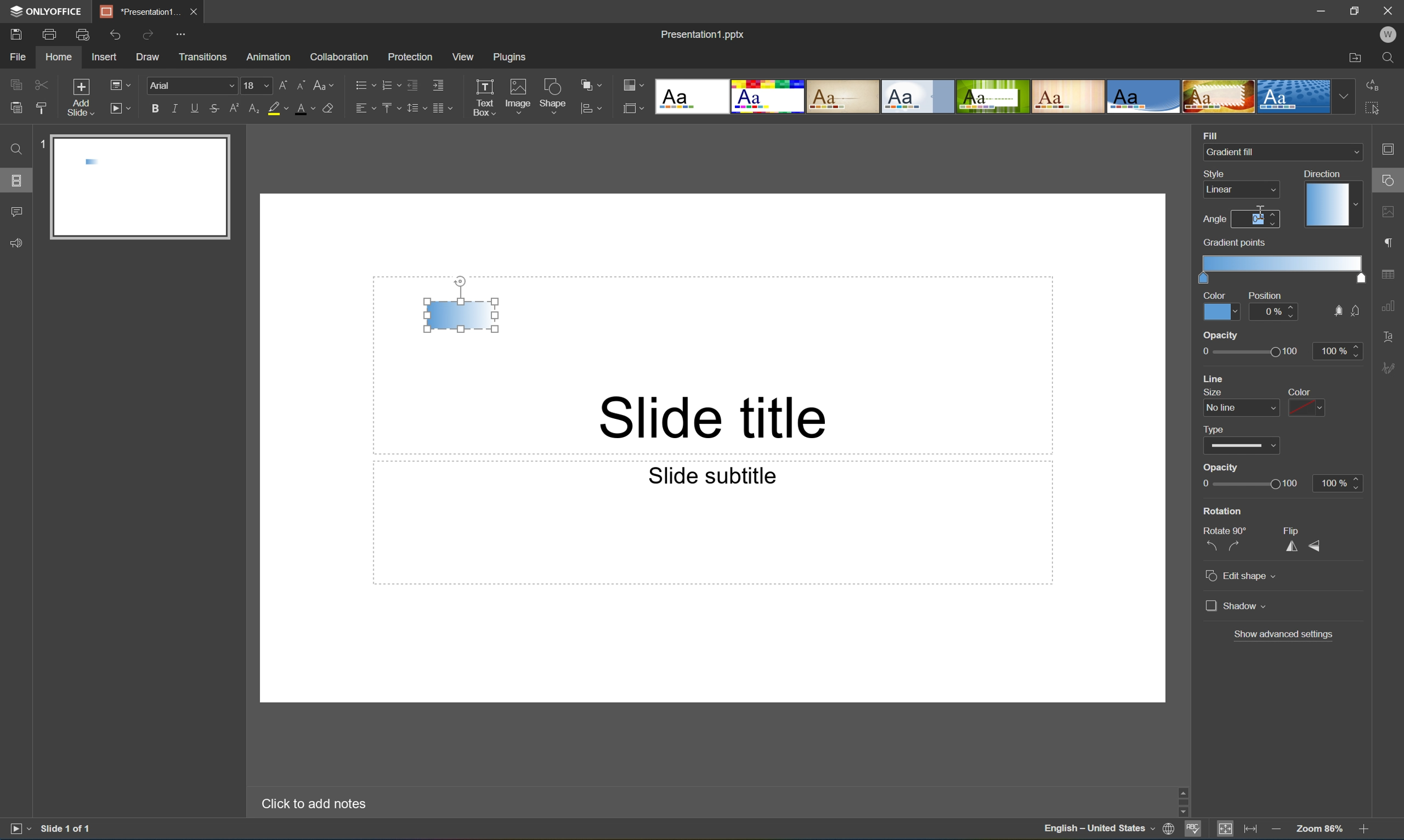 The width and height of the screenshot is (1404, 840). Describe the element at coordinates (311, 802) in the screenshot. I see `Click to add notes` at that location.